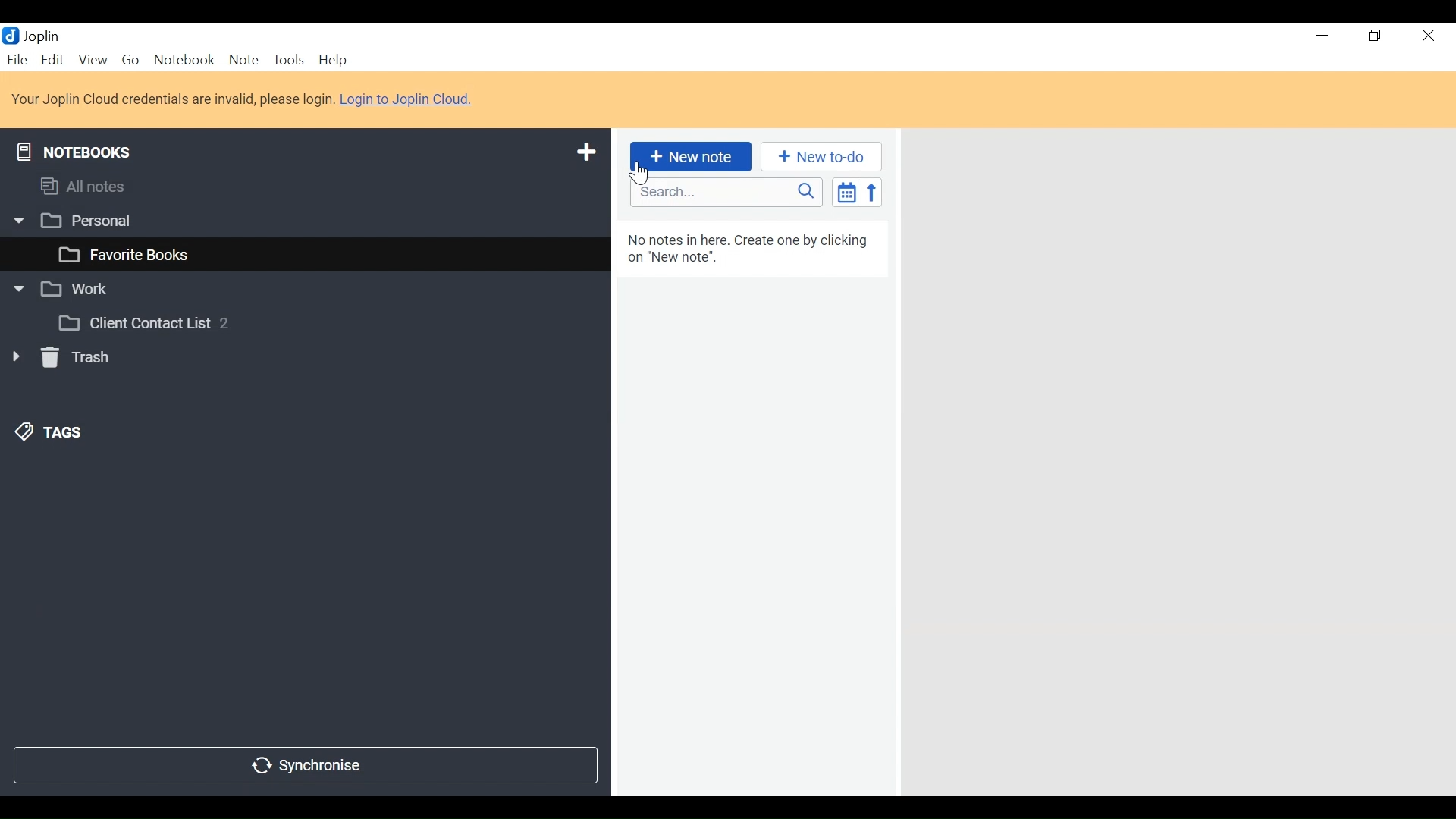 The height and width of the screenshot is (819, 1456). Describe the element at coordinates (62, 360) in the screenshot. I see `Trash` at that location.